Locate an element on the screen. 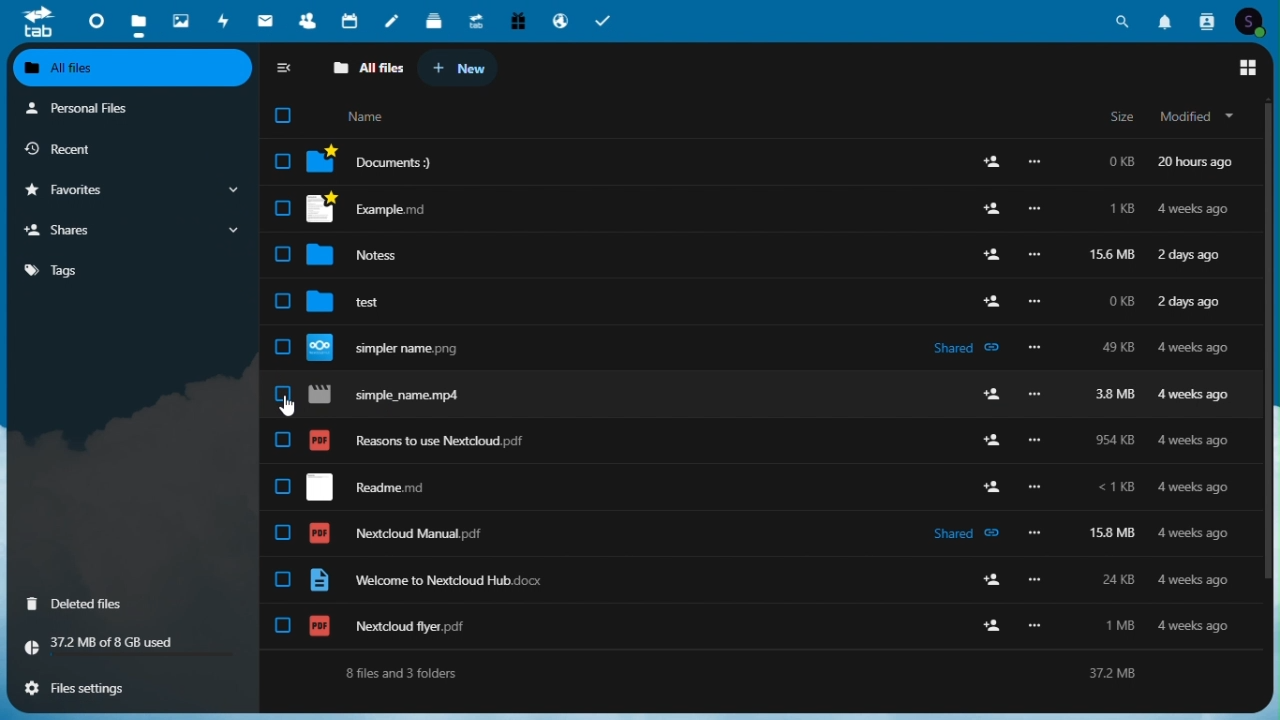 The width and height of the screenshot is (1280, 720). Reasons to use Notebook is located at coordinates (750, 438).